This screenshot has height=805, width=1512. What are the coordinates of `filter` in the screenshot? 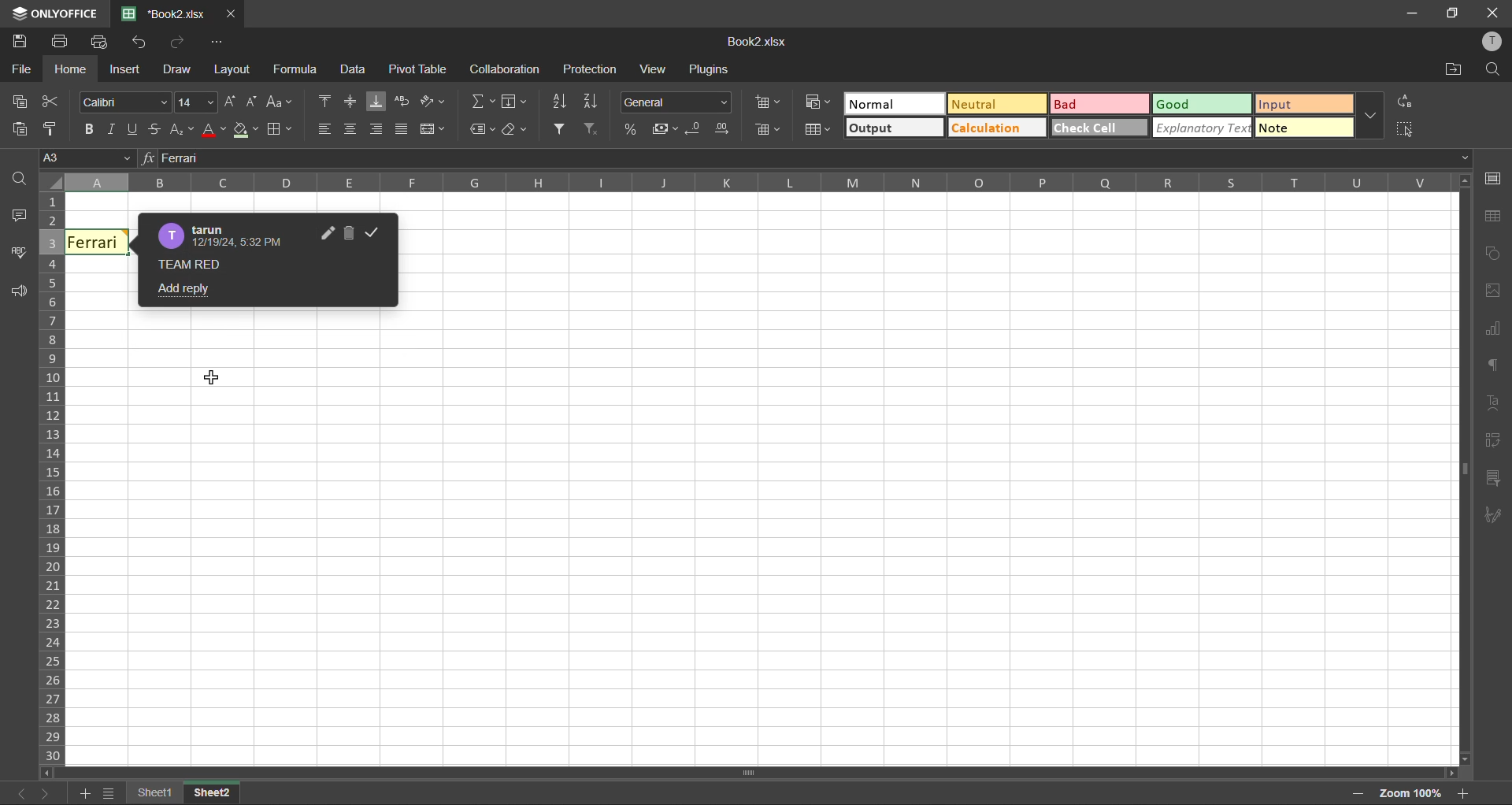 It's located at (562, 129).